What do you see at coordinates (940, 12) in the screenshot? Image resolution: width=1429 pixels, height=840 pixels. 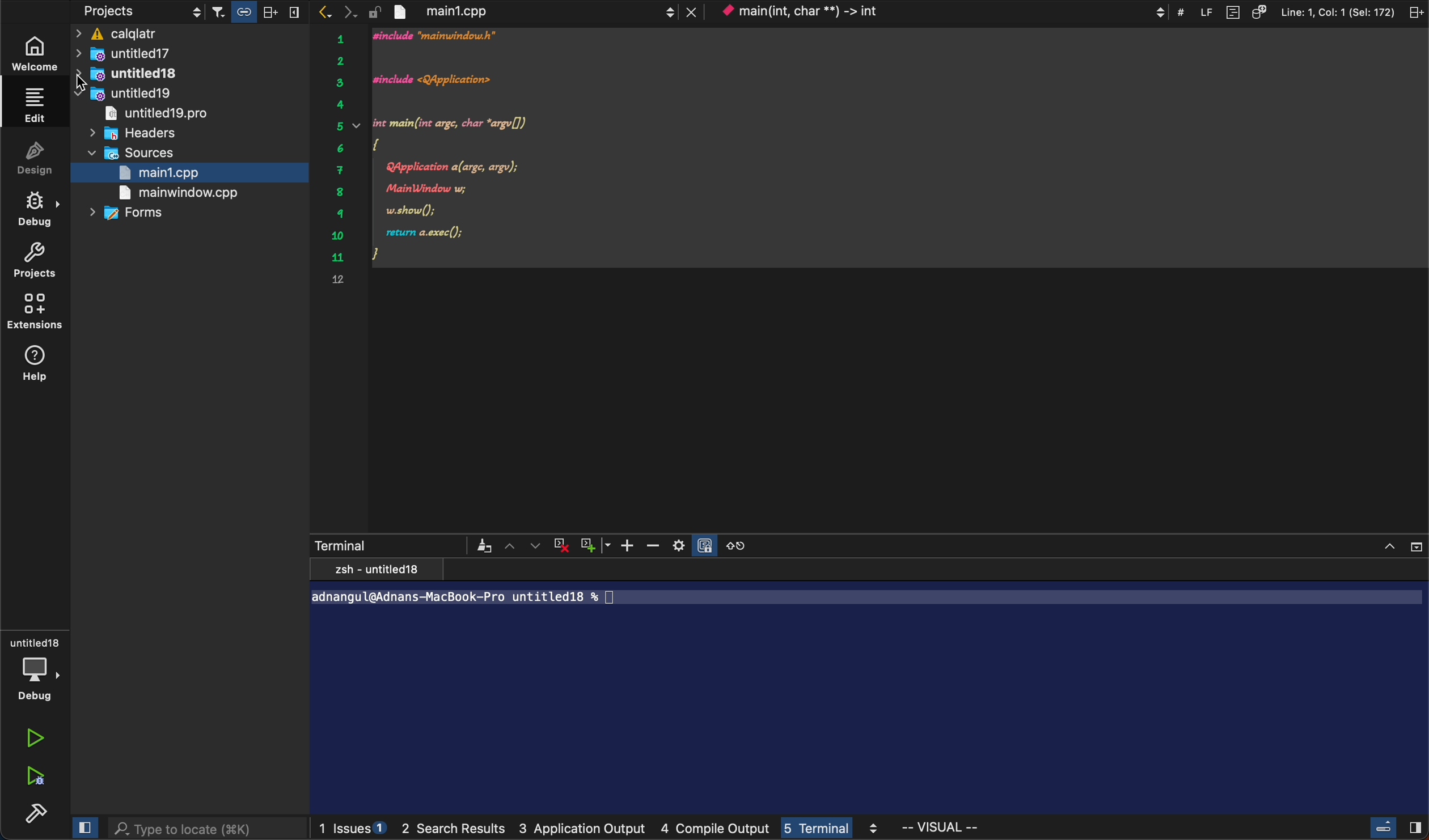 I see `context` at bounding box center [940, 12].